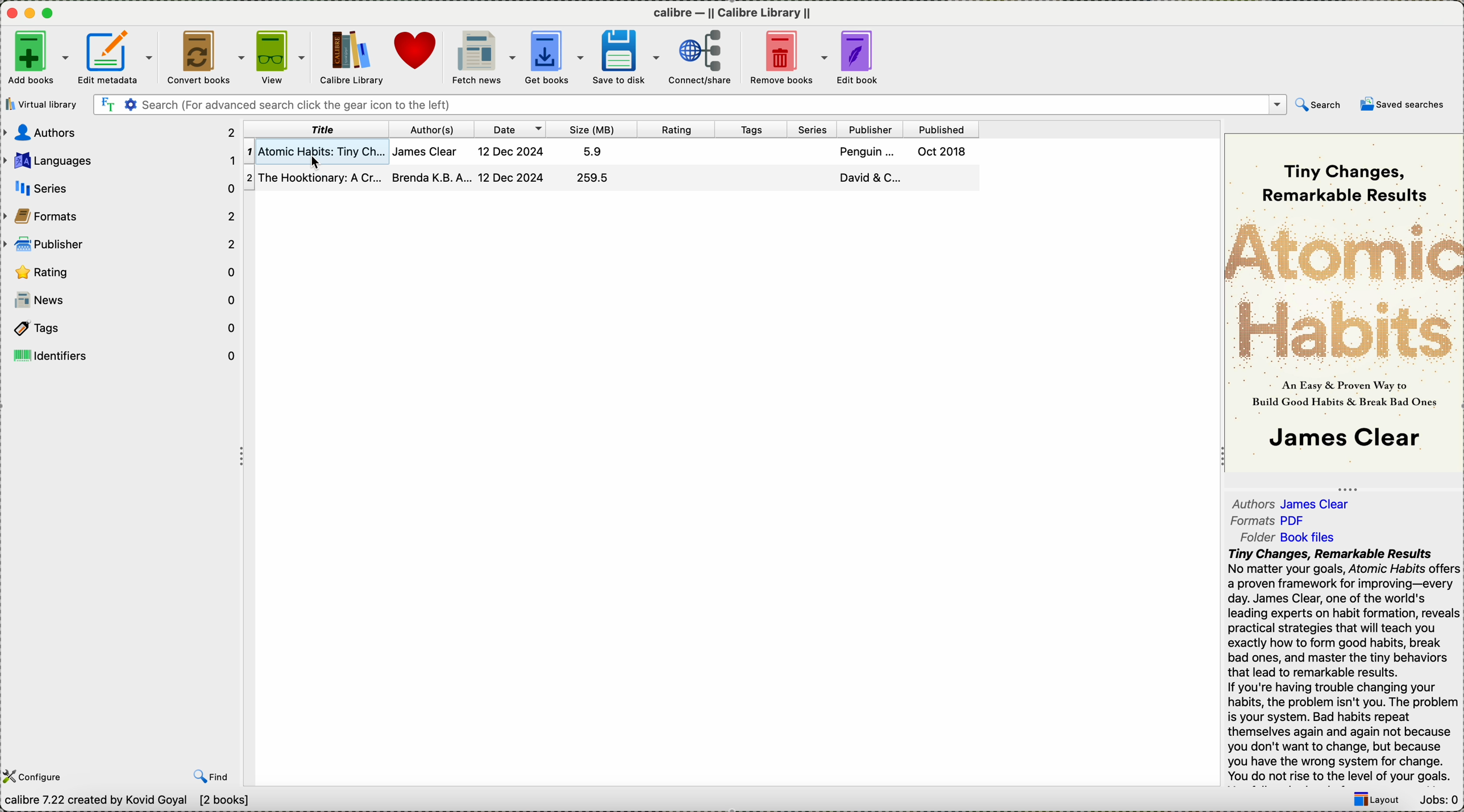 The height and width of the screenshot is (812, 1464). What do you see at coordinates (676, 130) in the screenshot?
I see `rating` at bounding box center [676, 130].